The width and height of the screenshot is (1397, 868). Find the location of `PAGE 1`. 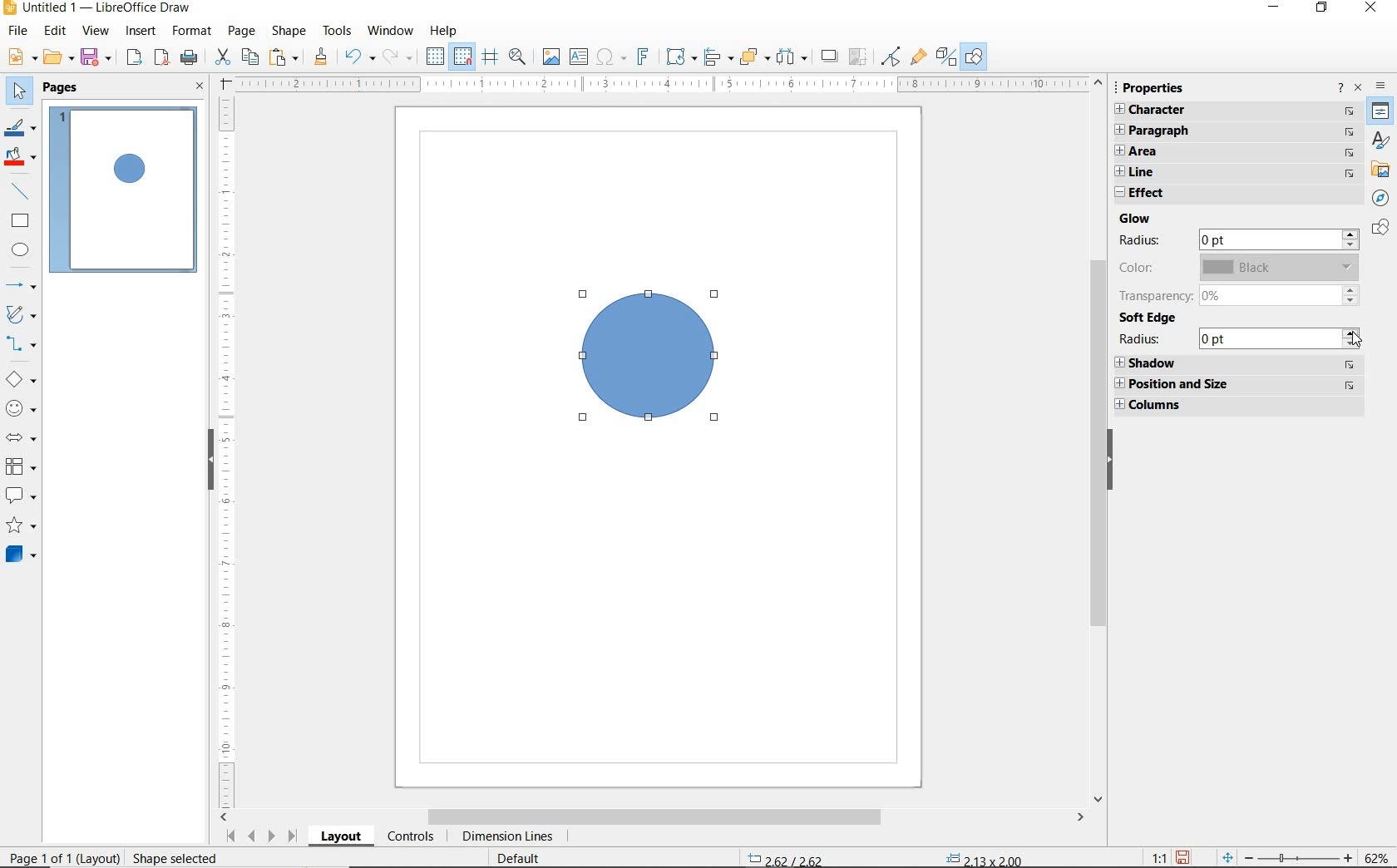

PAGE 1 is located at coordinates (126, 190).